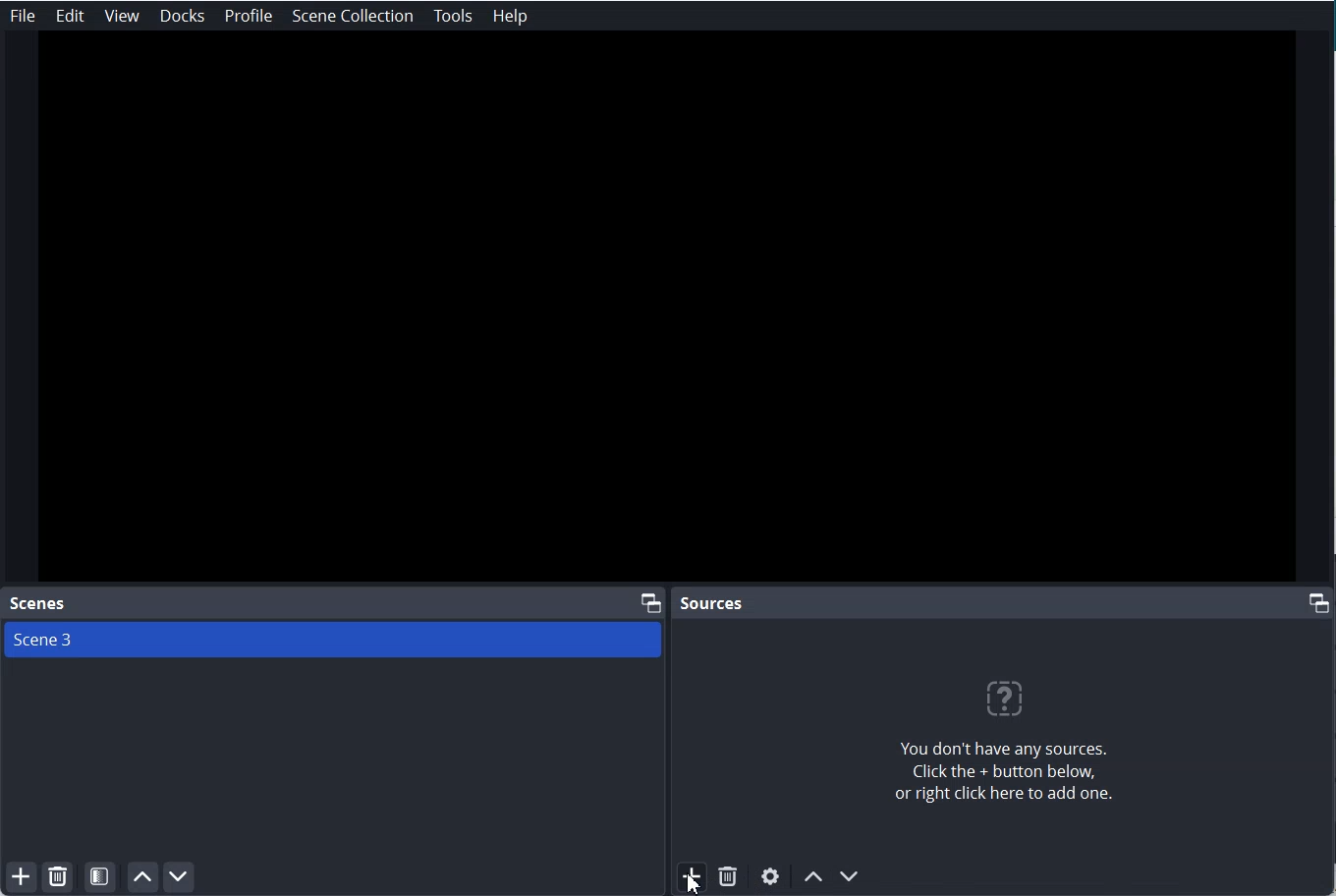 The height and width of the screenshot is (896, 1336). I want to click on Remove selected Scene, so click(58, 877).